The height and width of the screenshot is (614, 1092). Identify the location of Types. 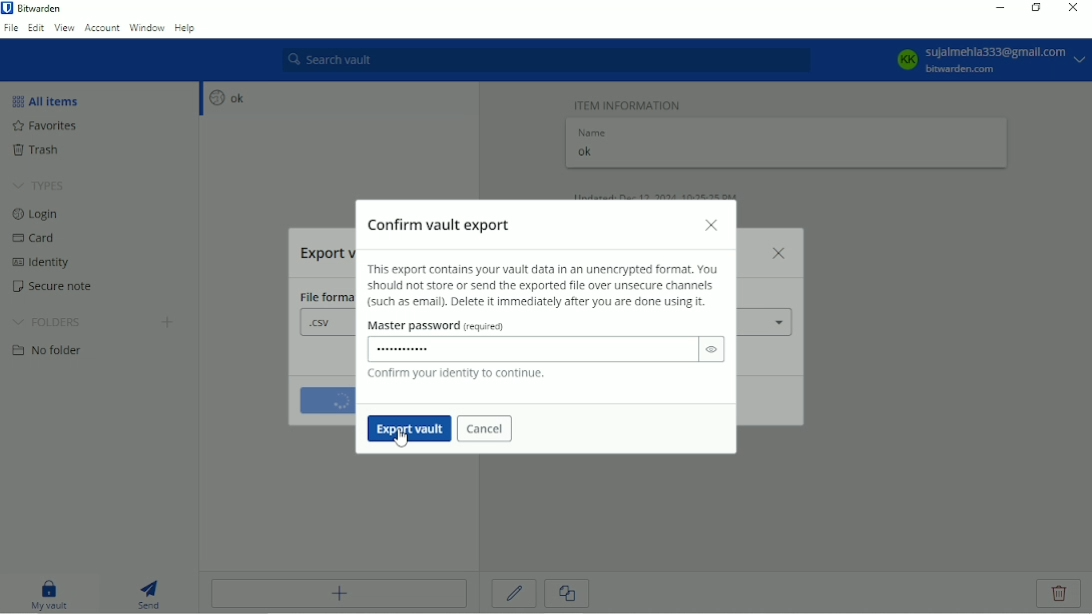
(40, 187).